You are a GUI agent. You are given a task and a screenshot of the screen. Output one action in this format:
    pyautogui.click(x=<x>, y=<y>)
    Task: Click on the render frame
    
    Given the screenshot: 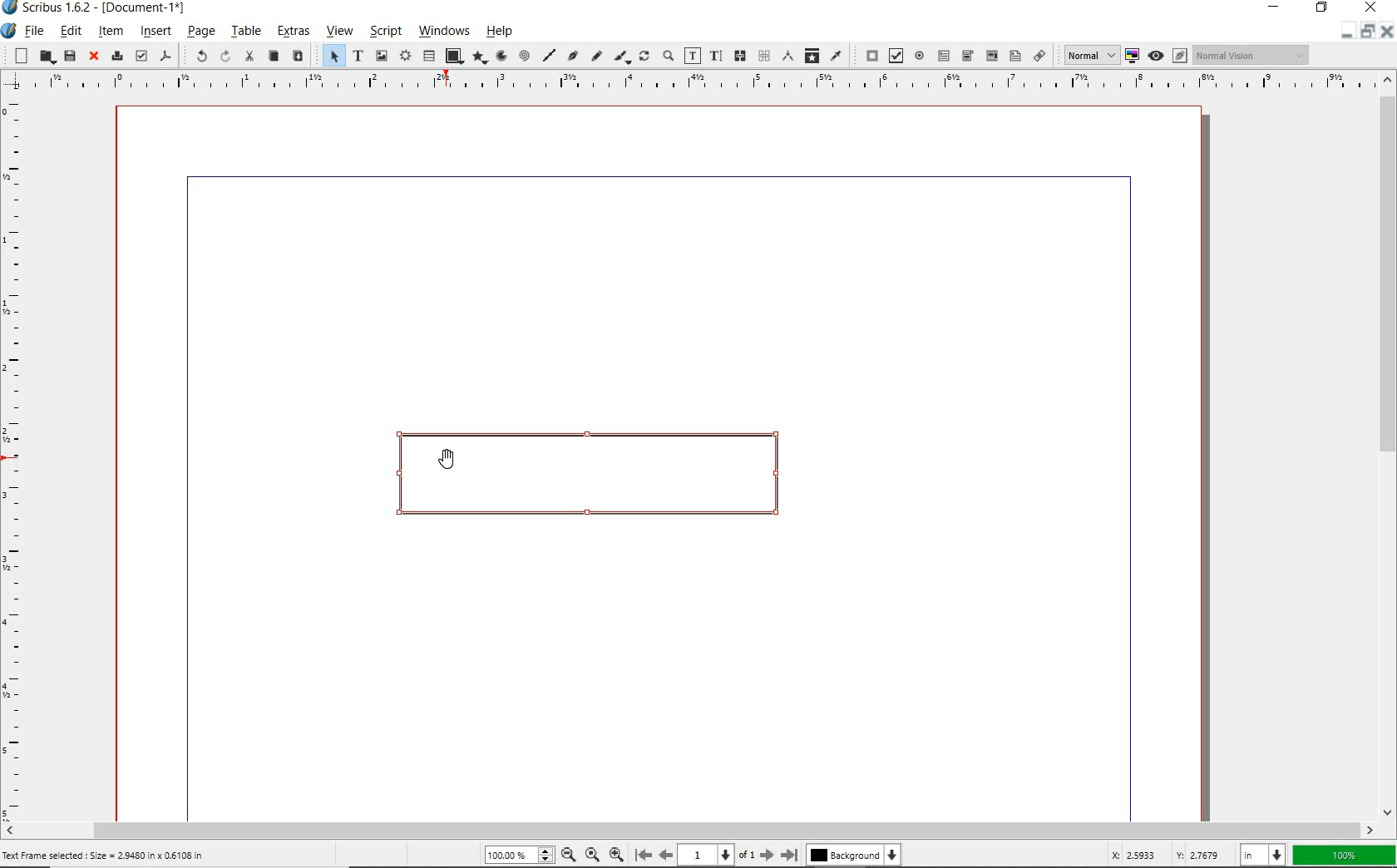 What is the action you would take?
    pyautogui.click(x=405, y=57)
    